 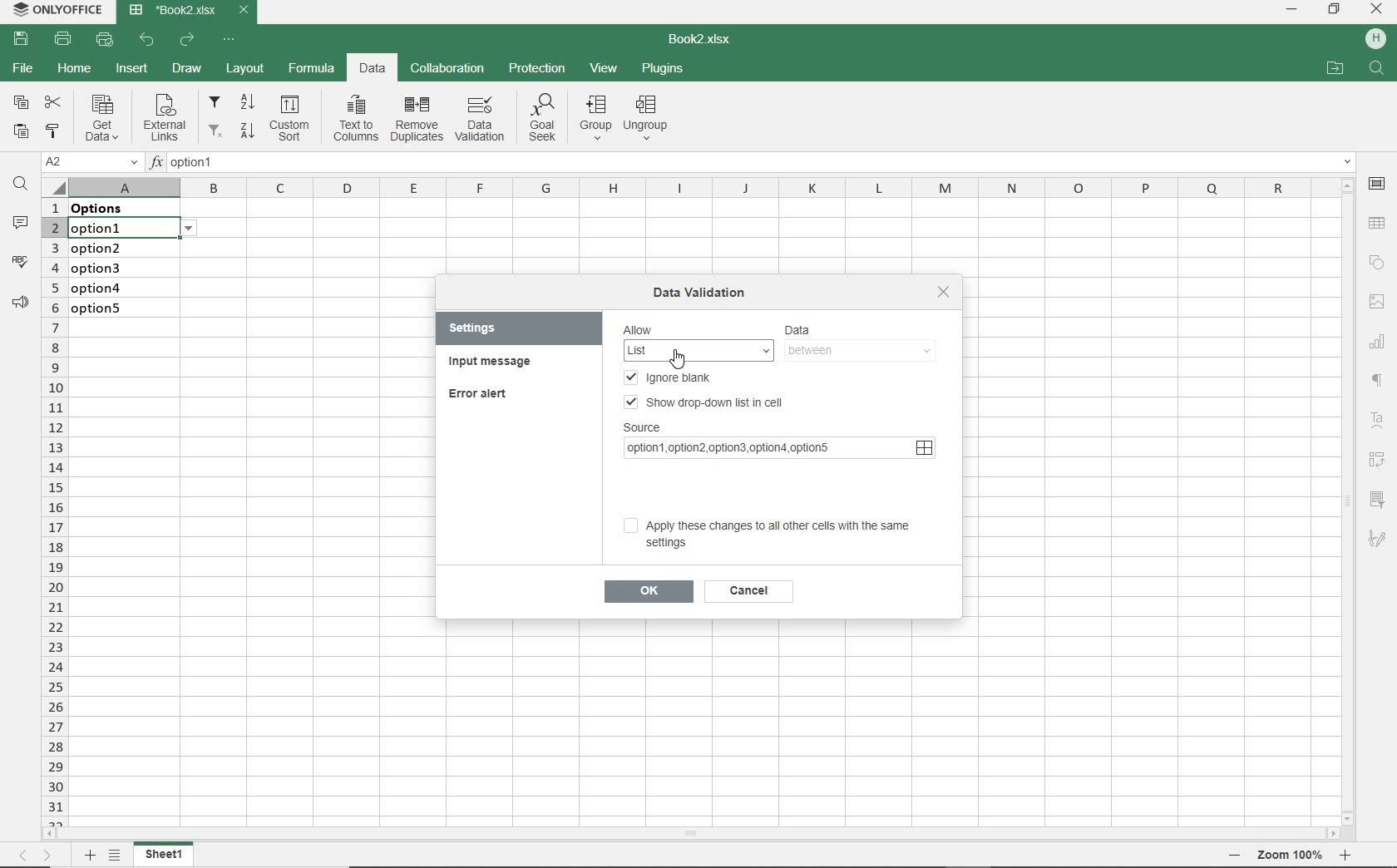 I want to click on OPEN FILE LOCATION, so click(x=1335, y=67).